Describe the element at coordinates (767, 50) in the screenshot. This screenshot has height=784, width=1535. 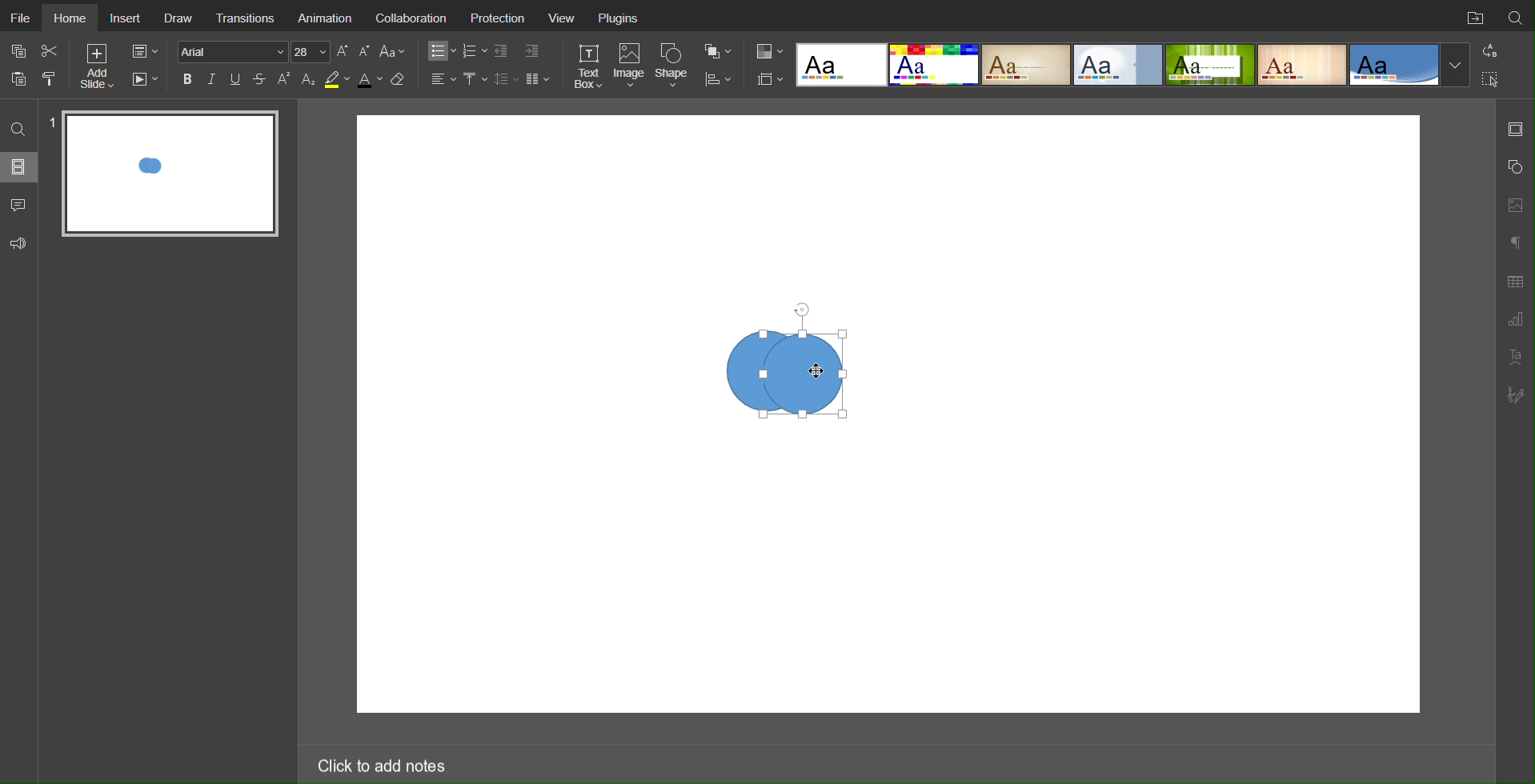
I see `Colors` at that location.